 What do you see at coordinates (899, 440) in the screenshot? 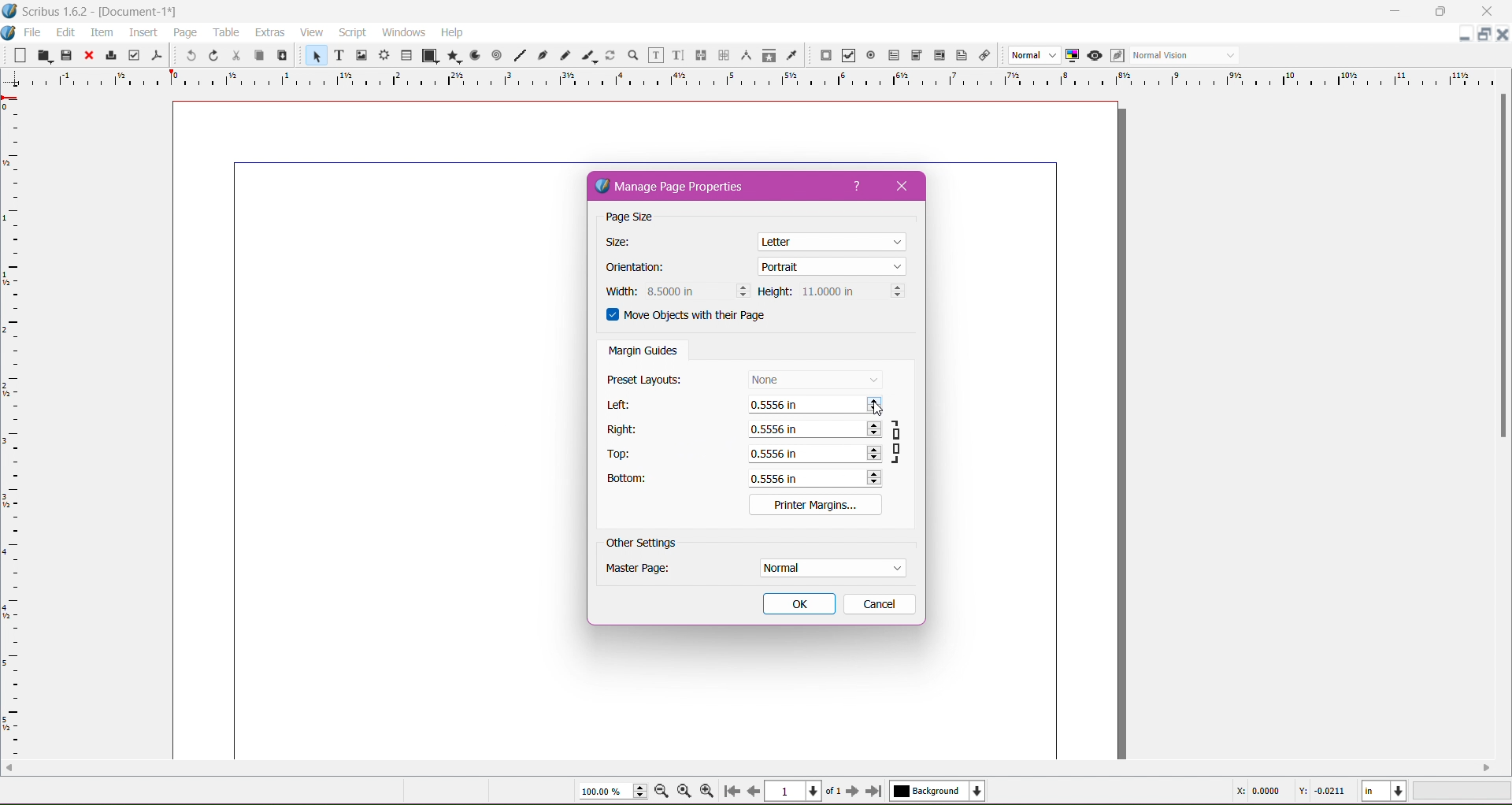
I see `Ensure all margins have same value` at bounding box center [899, 440].